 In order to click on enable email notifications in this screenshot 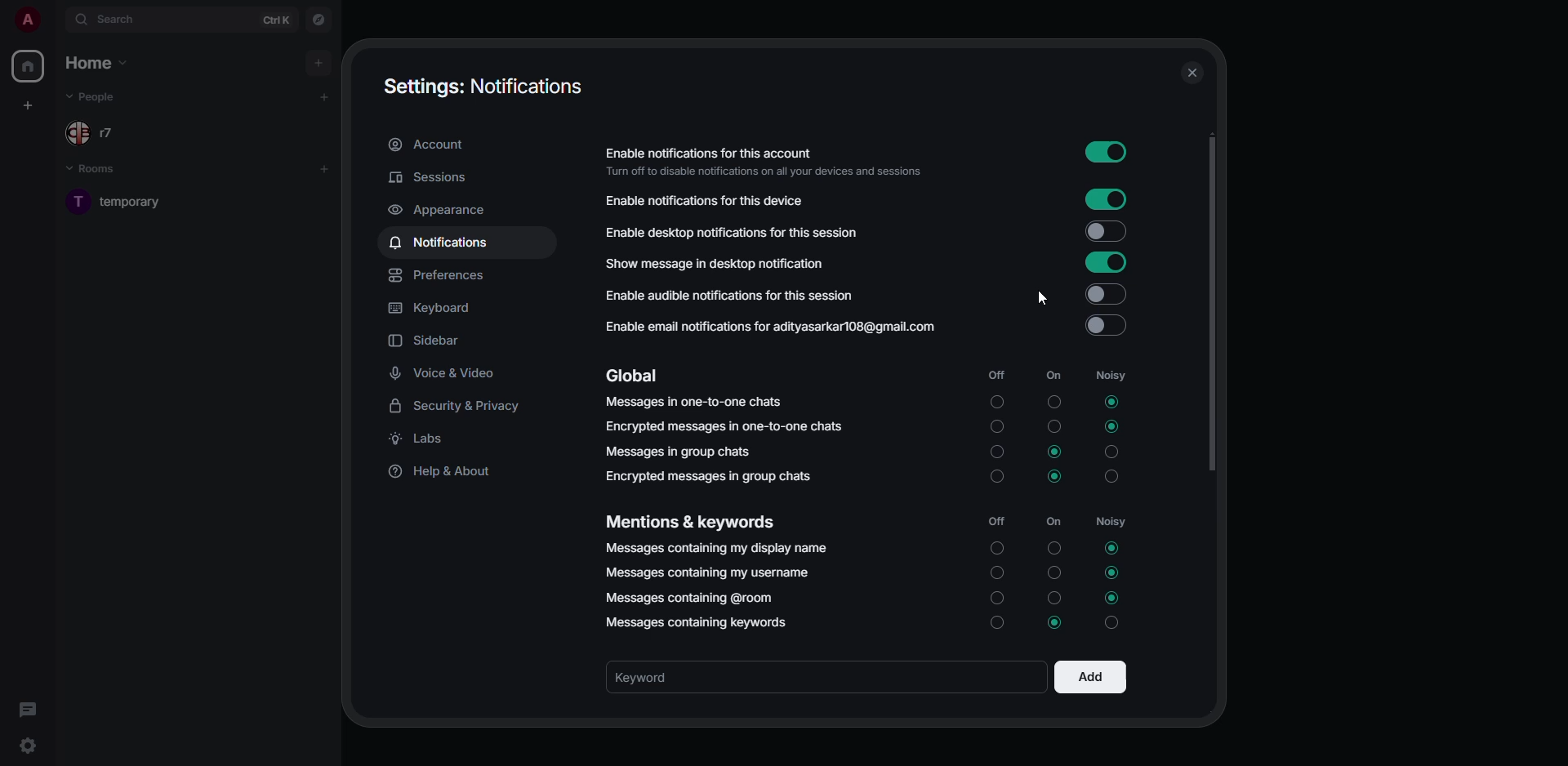, I will do `click(770, 326)`.